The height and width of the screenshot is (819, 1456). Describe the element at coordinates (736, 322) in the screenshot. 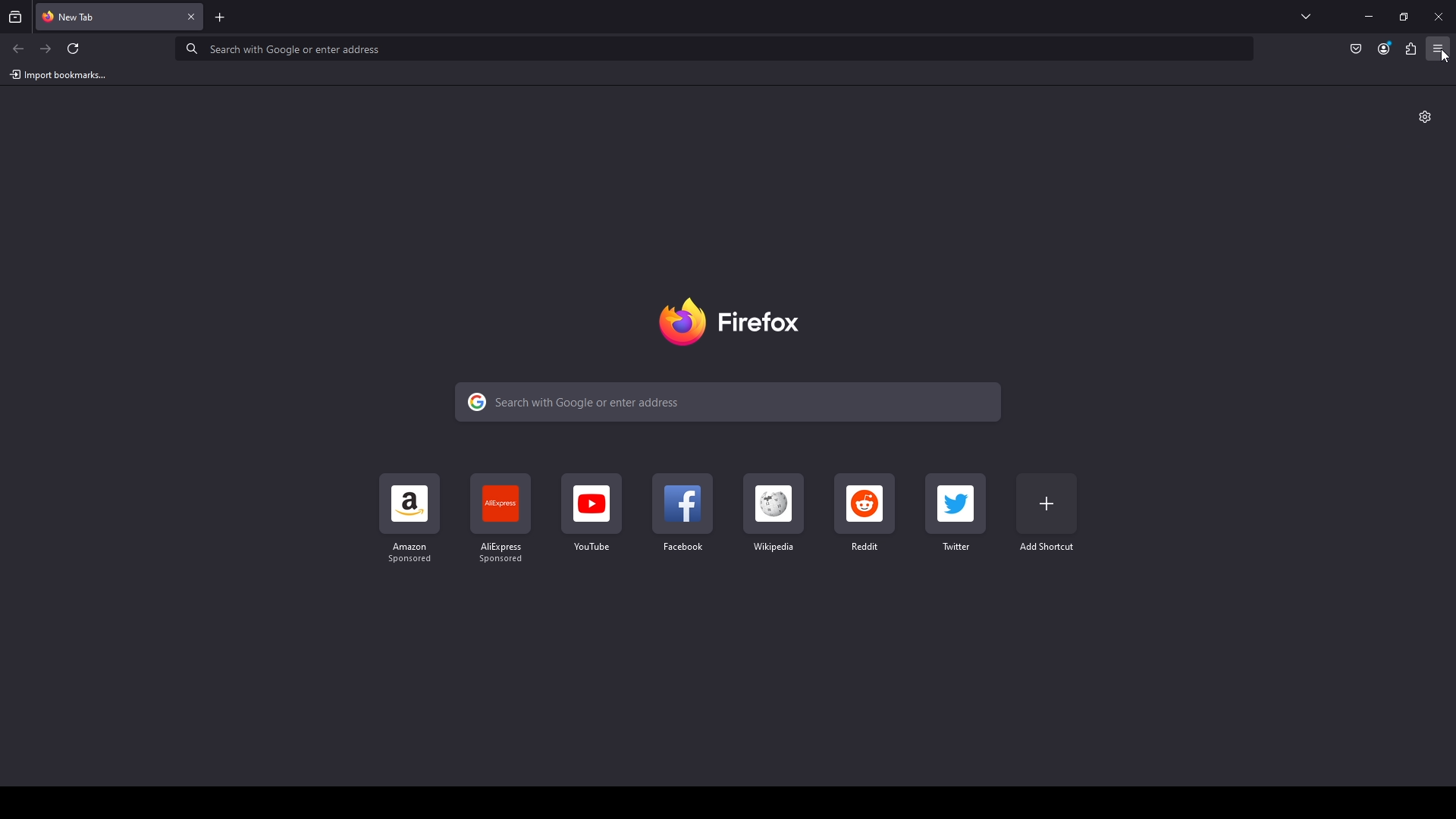

I see `Firefox Image` at that location.